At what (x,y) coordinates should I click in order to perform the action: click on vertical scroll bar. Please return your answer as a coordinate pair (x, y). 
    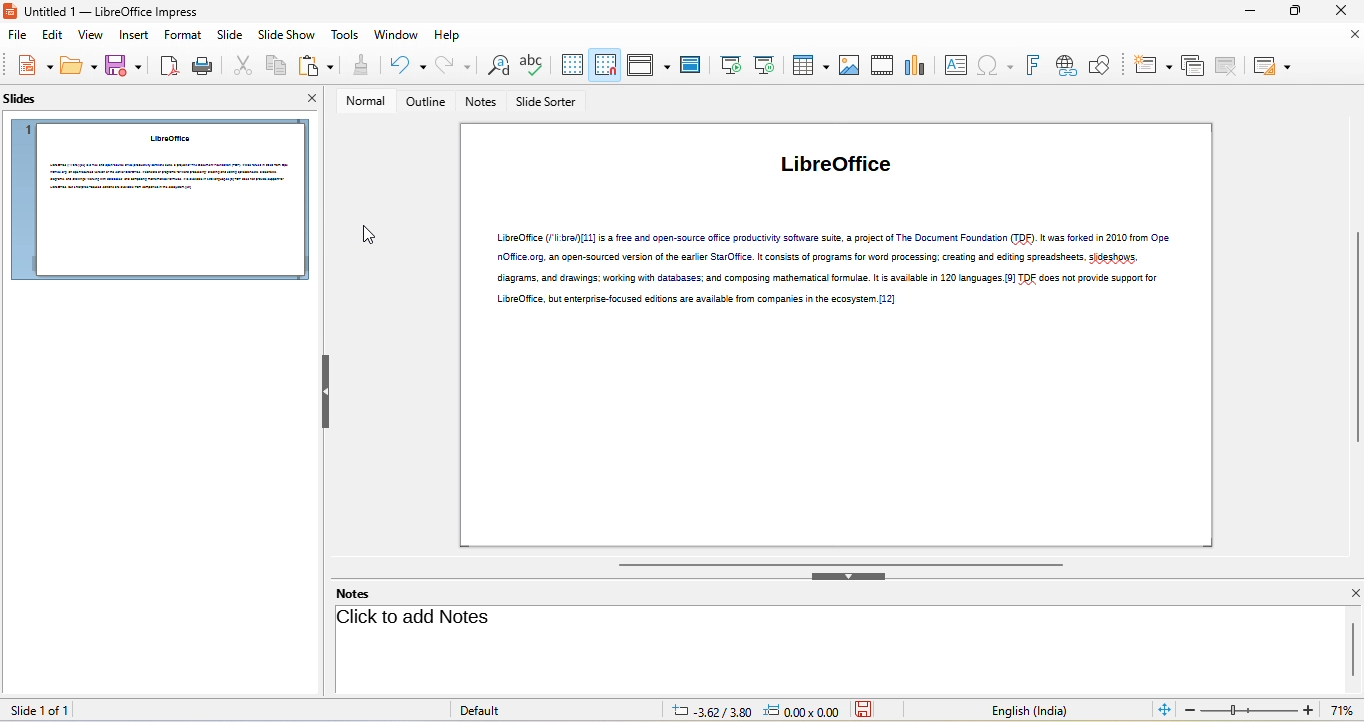
    Looking at the image, I should click on (1353, 649).